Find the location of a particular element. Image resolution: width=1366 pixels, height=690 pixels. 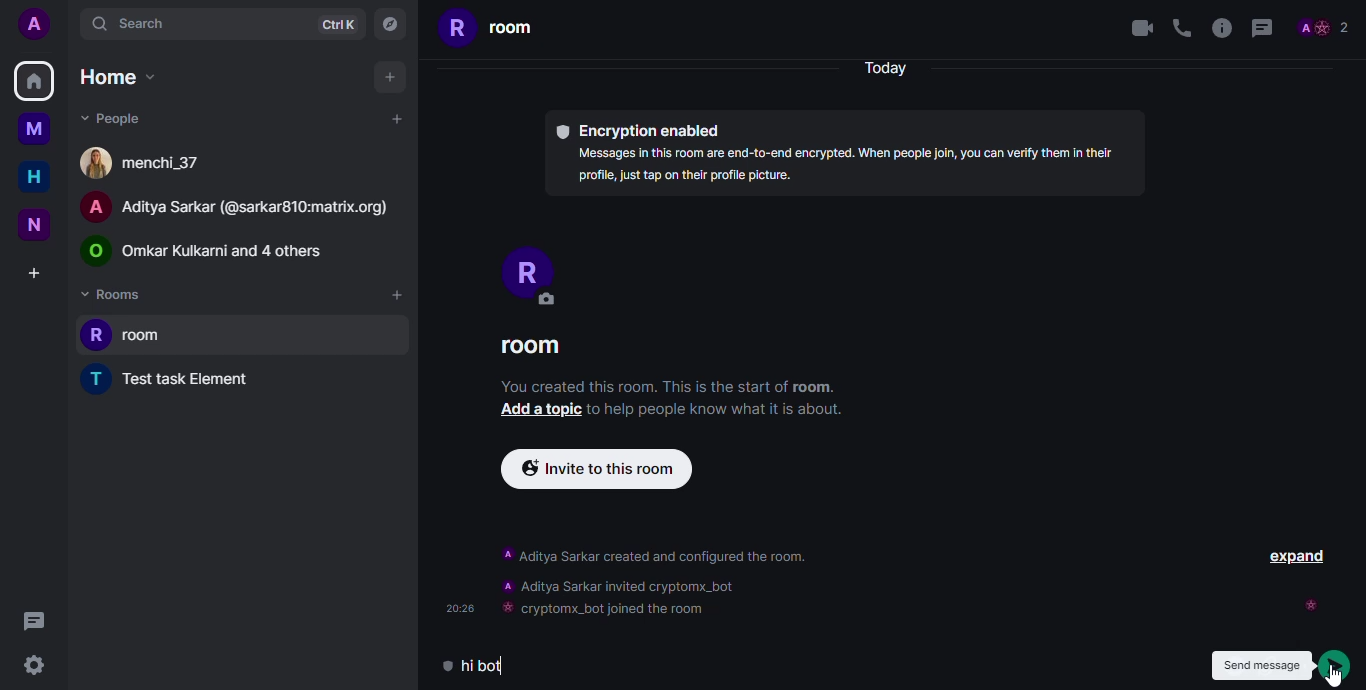

test task element is located at coordinates (183, 378).